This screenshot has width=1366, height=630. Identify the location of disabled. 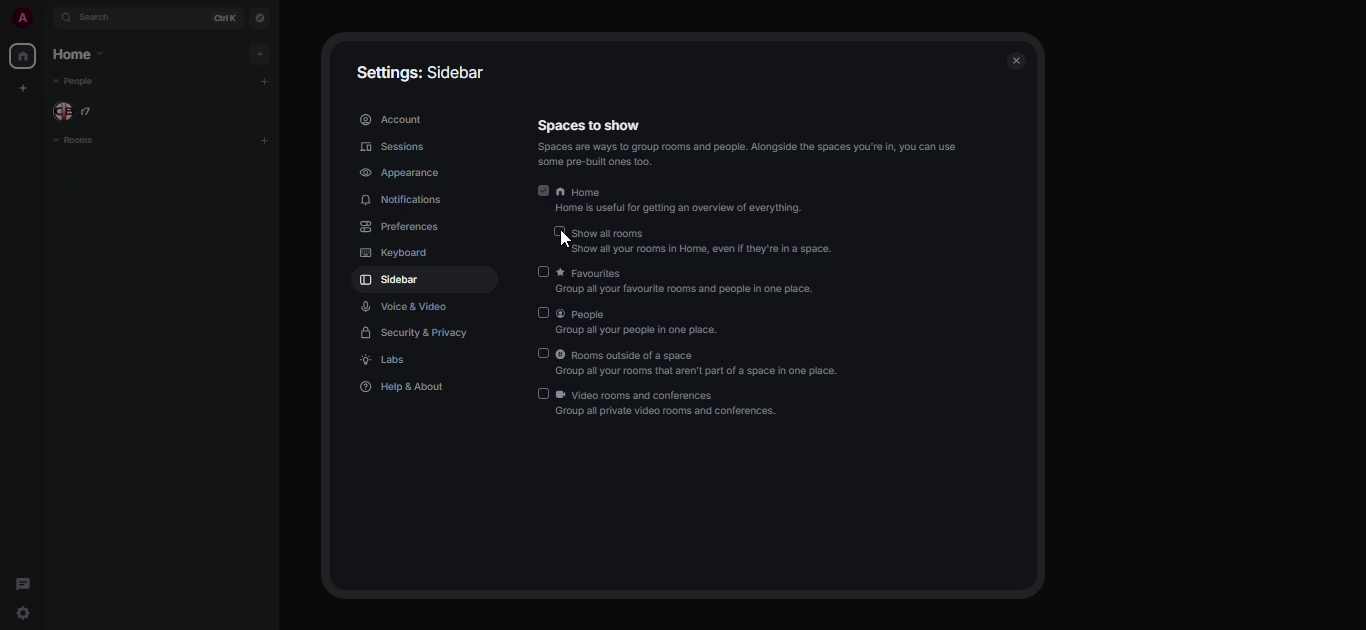
(561, 231).